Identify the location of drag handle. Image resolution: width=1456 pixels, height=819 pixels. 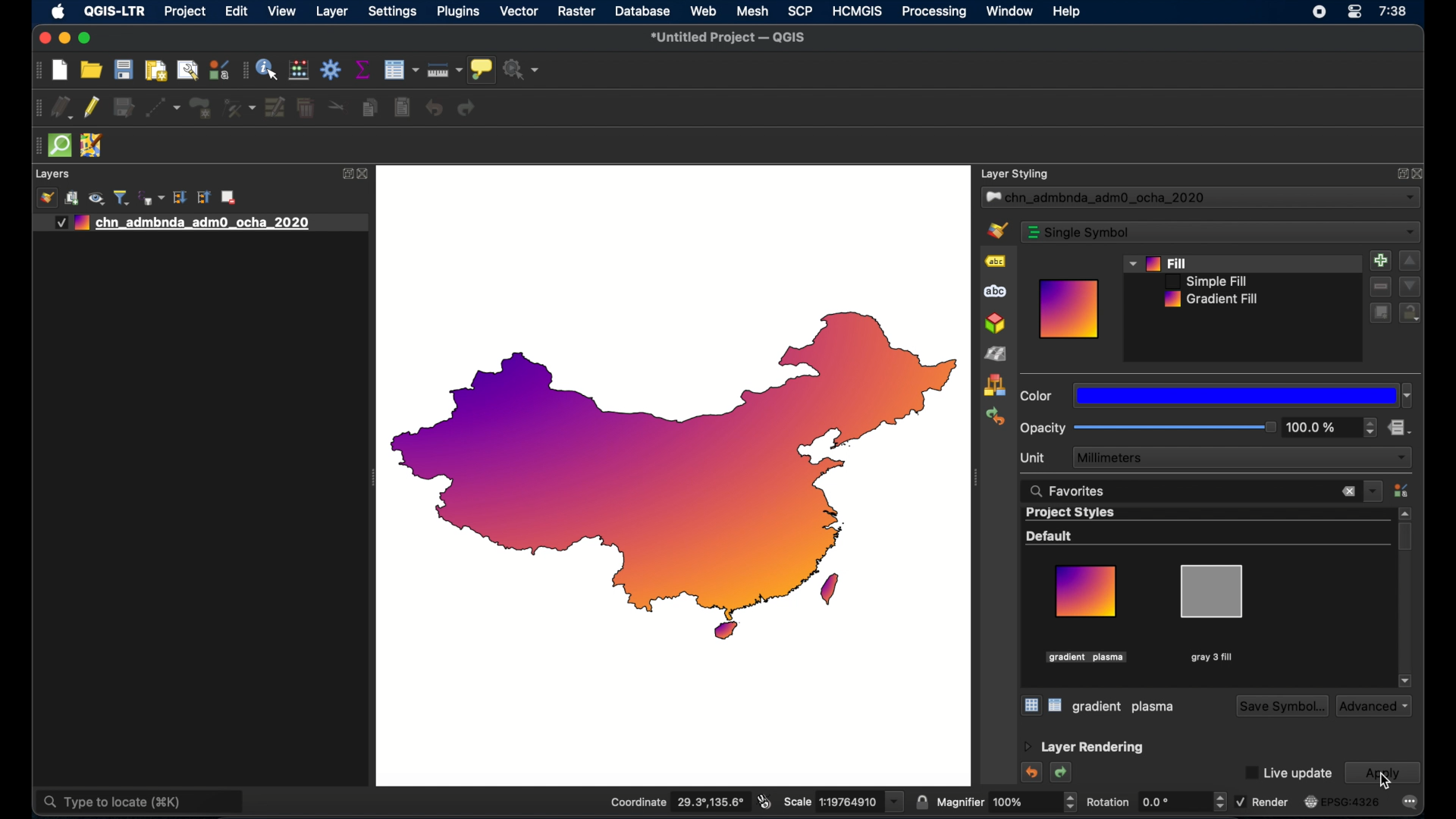
(975, 478).